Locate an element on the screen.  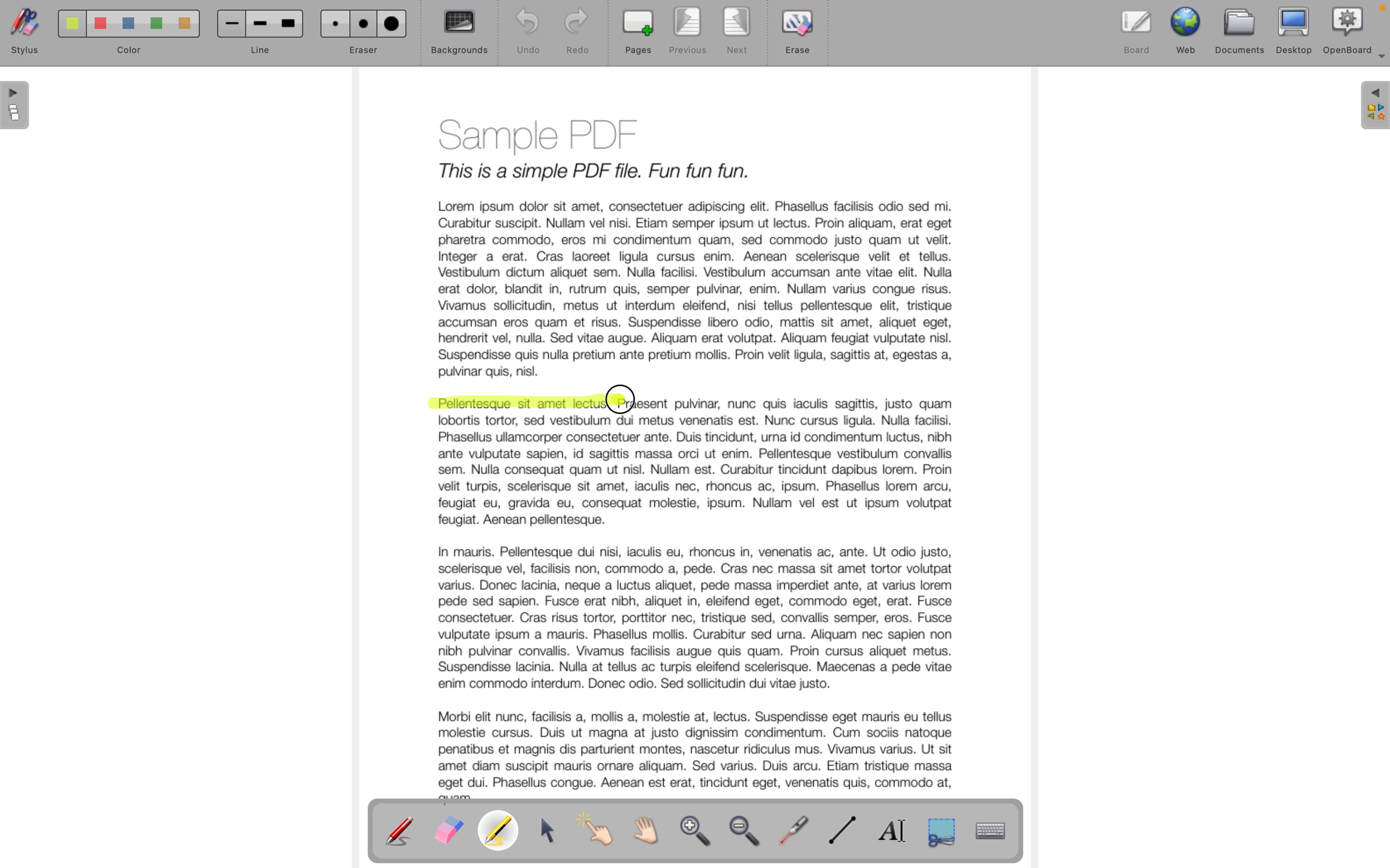
desktop is located at coordinates (1295, 30).